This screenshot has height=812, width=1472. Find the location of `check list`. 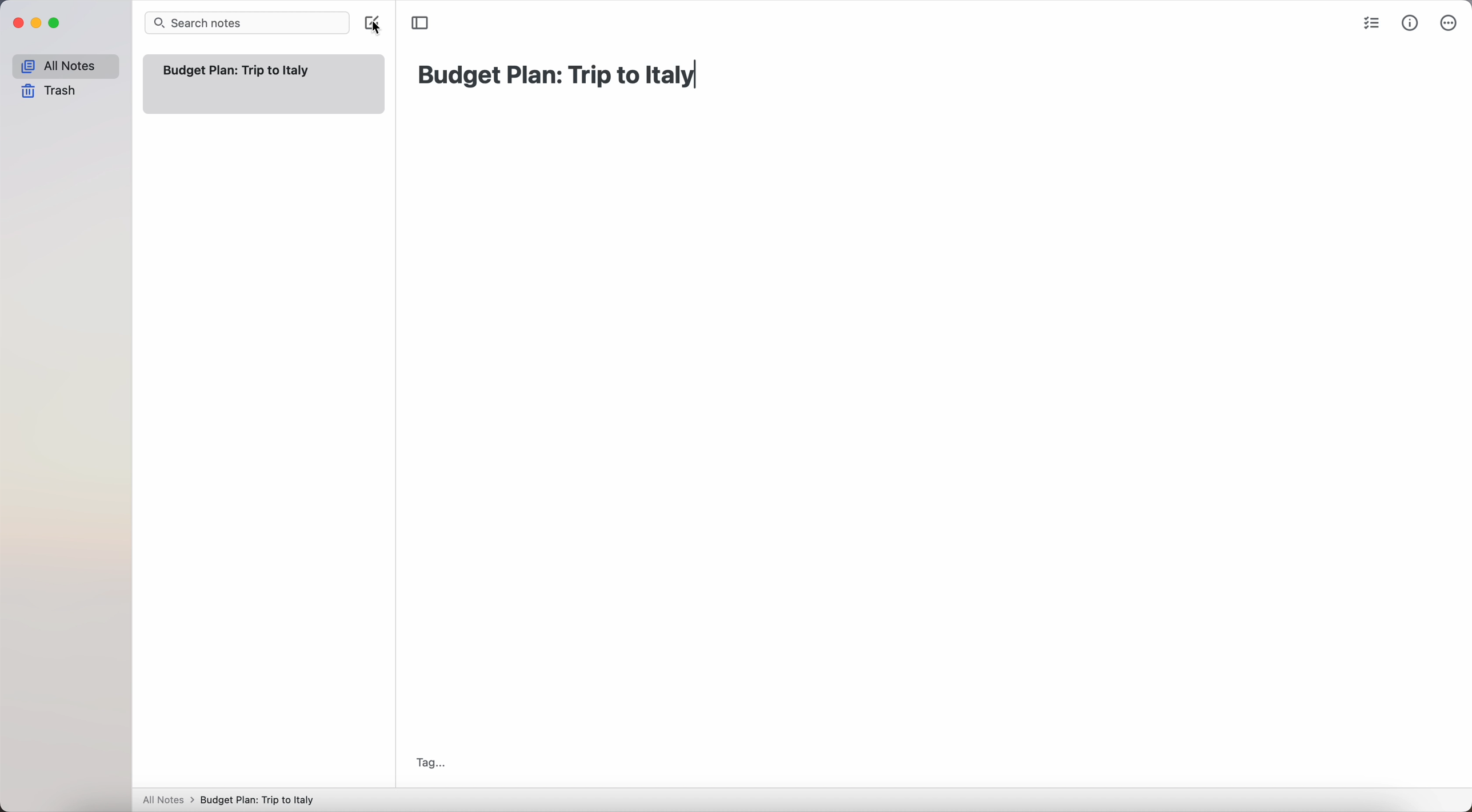

check list is located at coordinates (1372, 26).